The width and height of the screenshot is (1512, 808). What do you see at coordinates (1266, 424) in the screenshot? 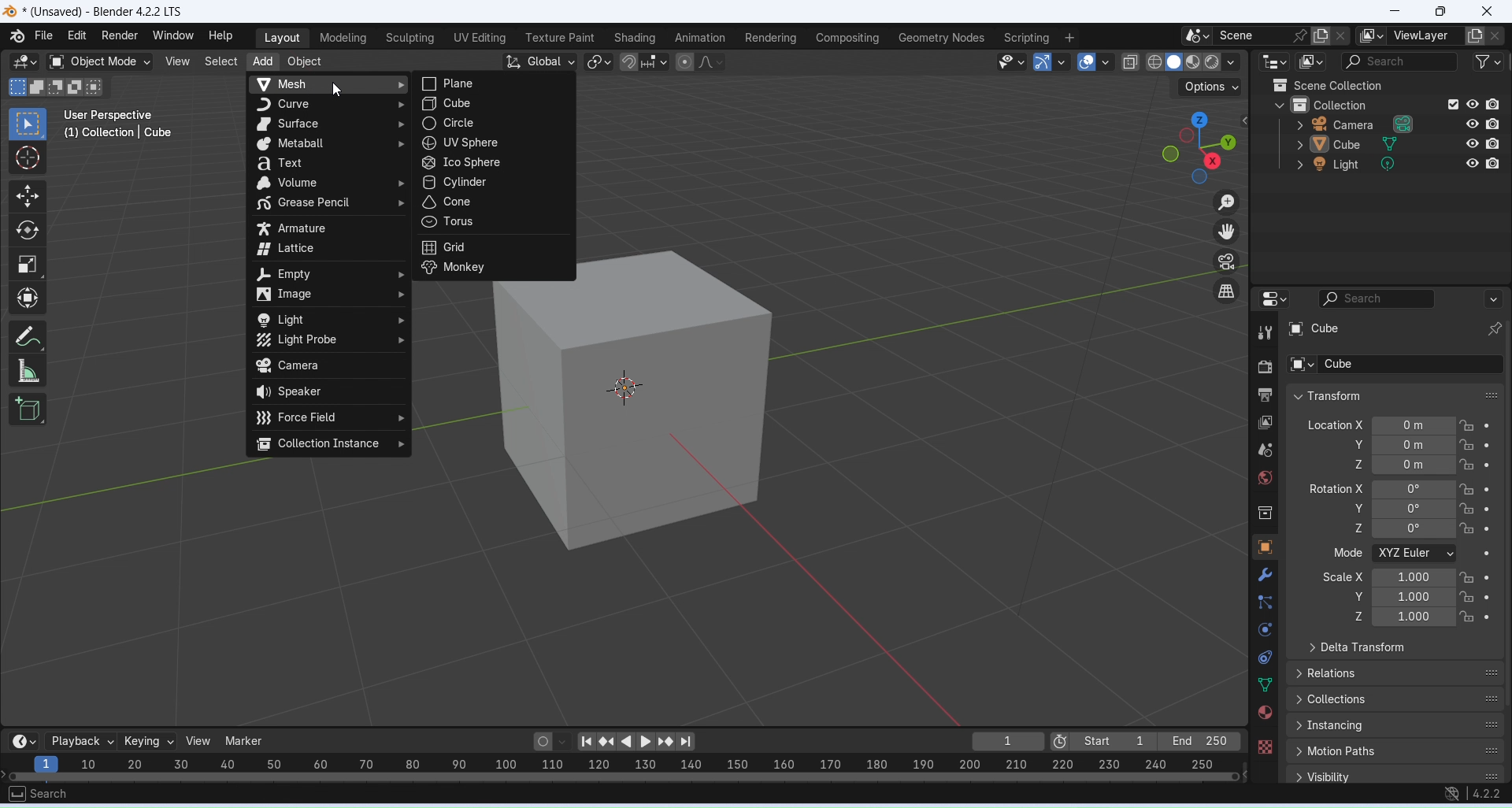
I see `View layer` at bounding box center [1266, 424].